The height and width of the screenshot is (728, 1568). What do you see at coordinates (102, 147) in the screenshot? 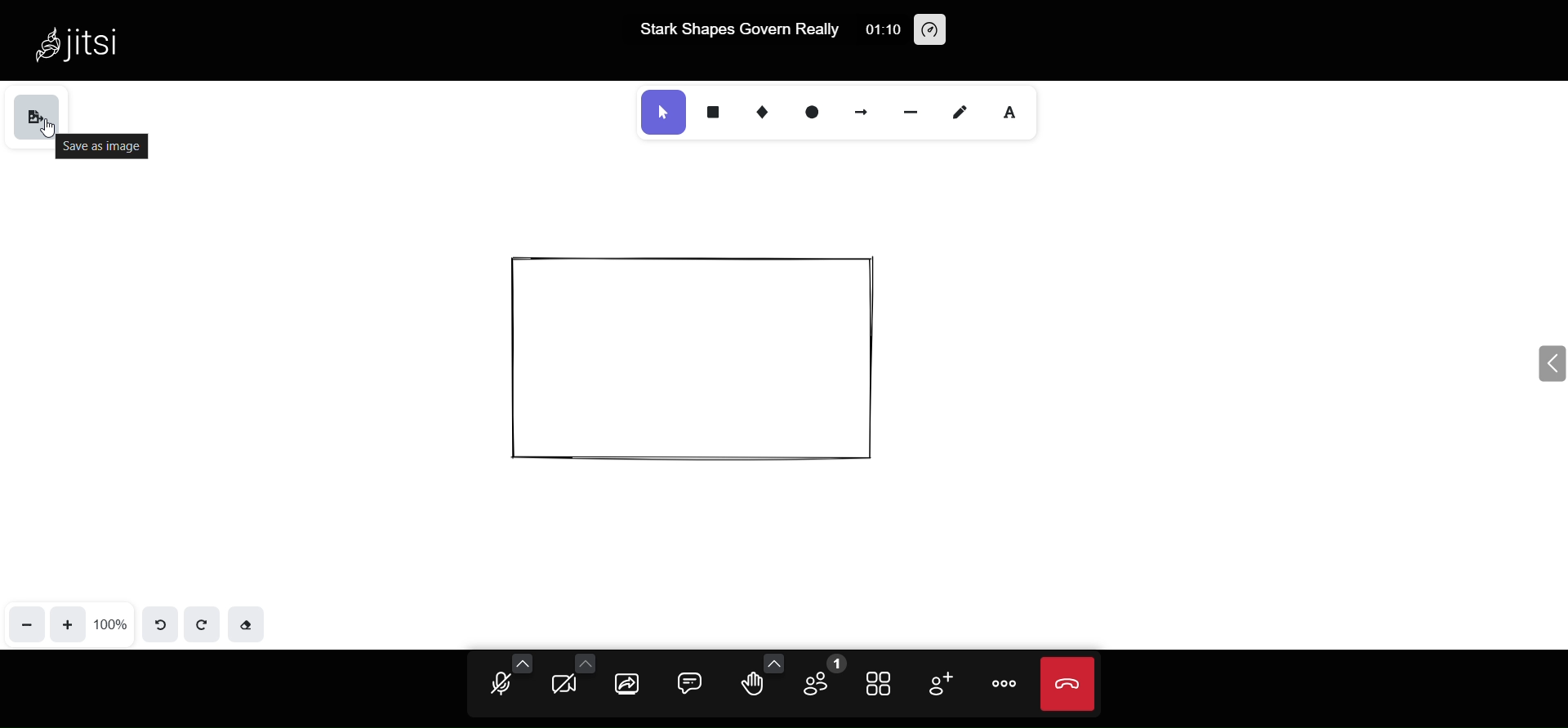
I see `save as image` at bounding box center [102, 147].